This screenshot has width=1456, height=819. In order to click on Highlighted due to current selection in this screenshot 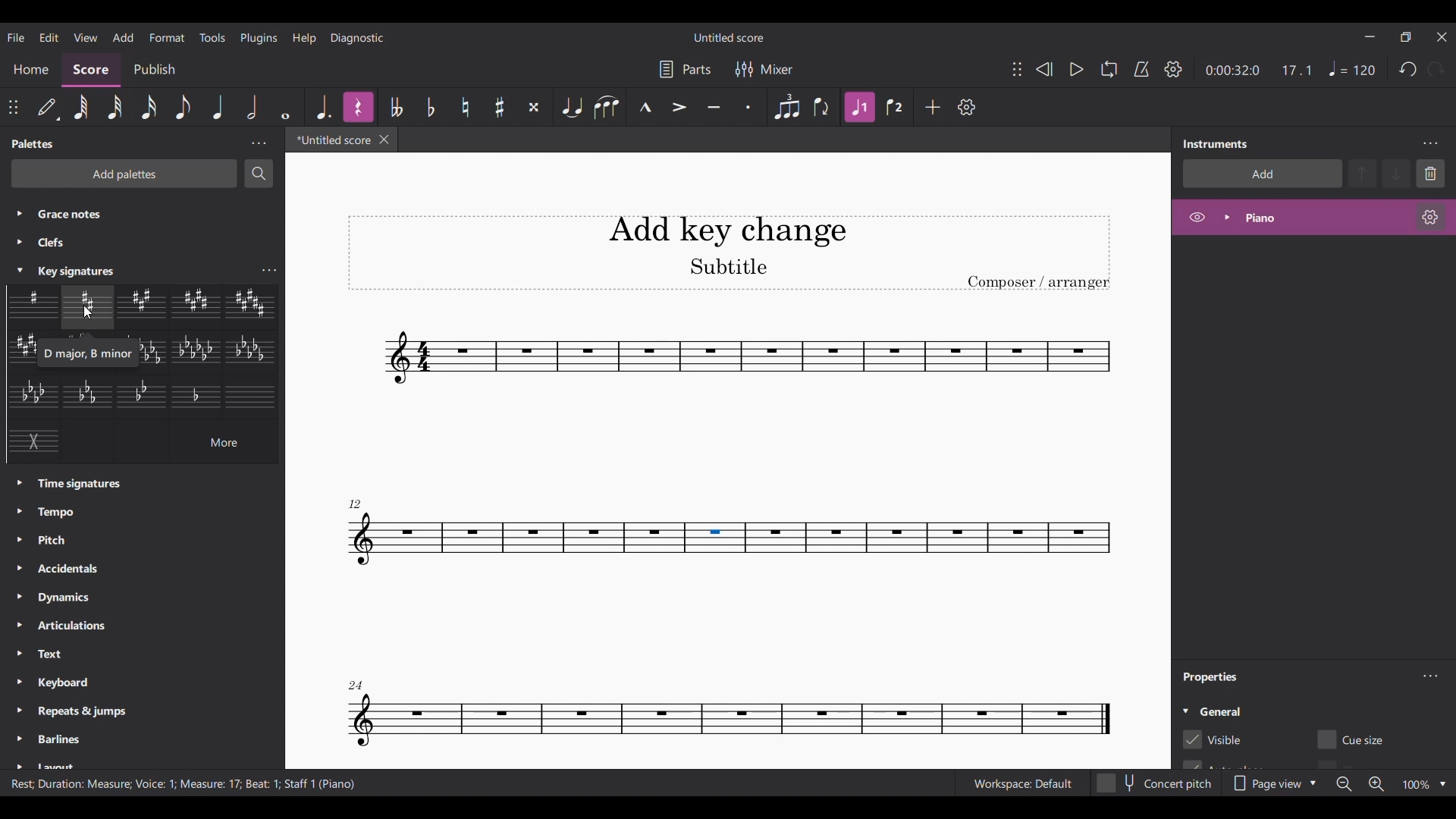, I will do `click(1313, 218)`.